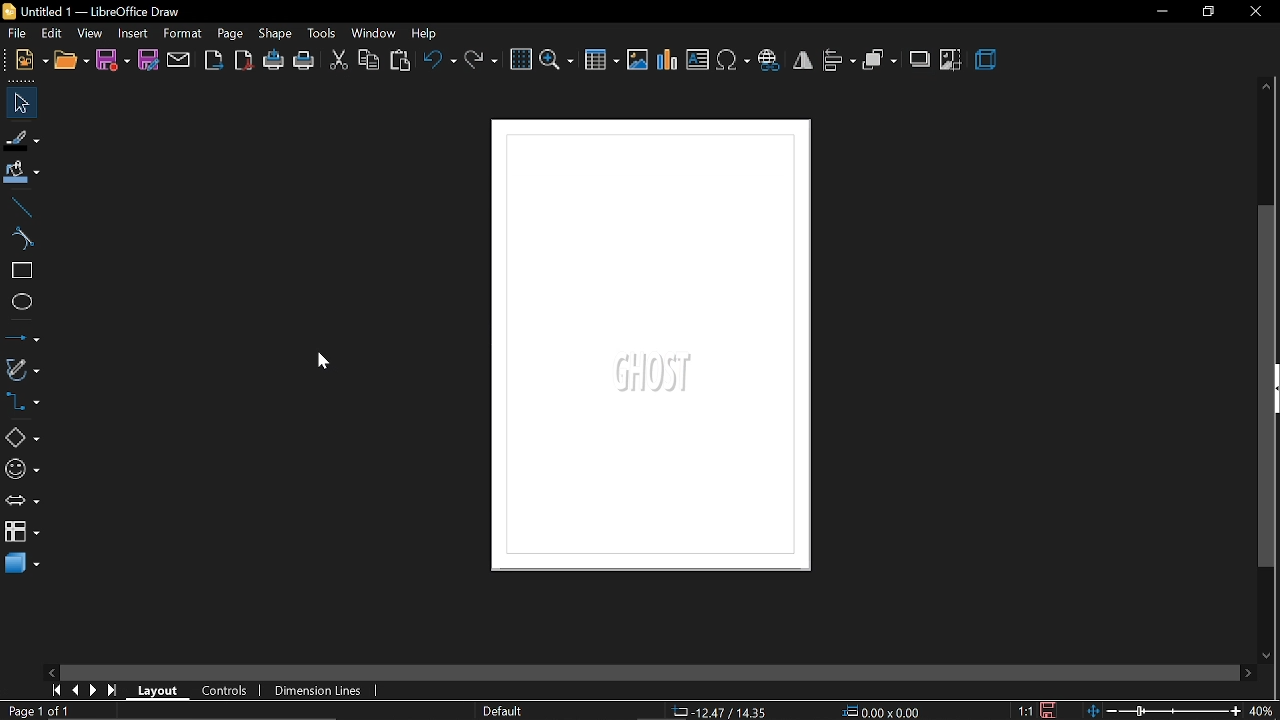 The image size is (1280, 720). Describe the element at coordinates (318, 691) in the screenshot. I see `dimension lines` at that location.